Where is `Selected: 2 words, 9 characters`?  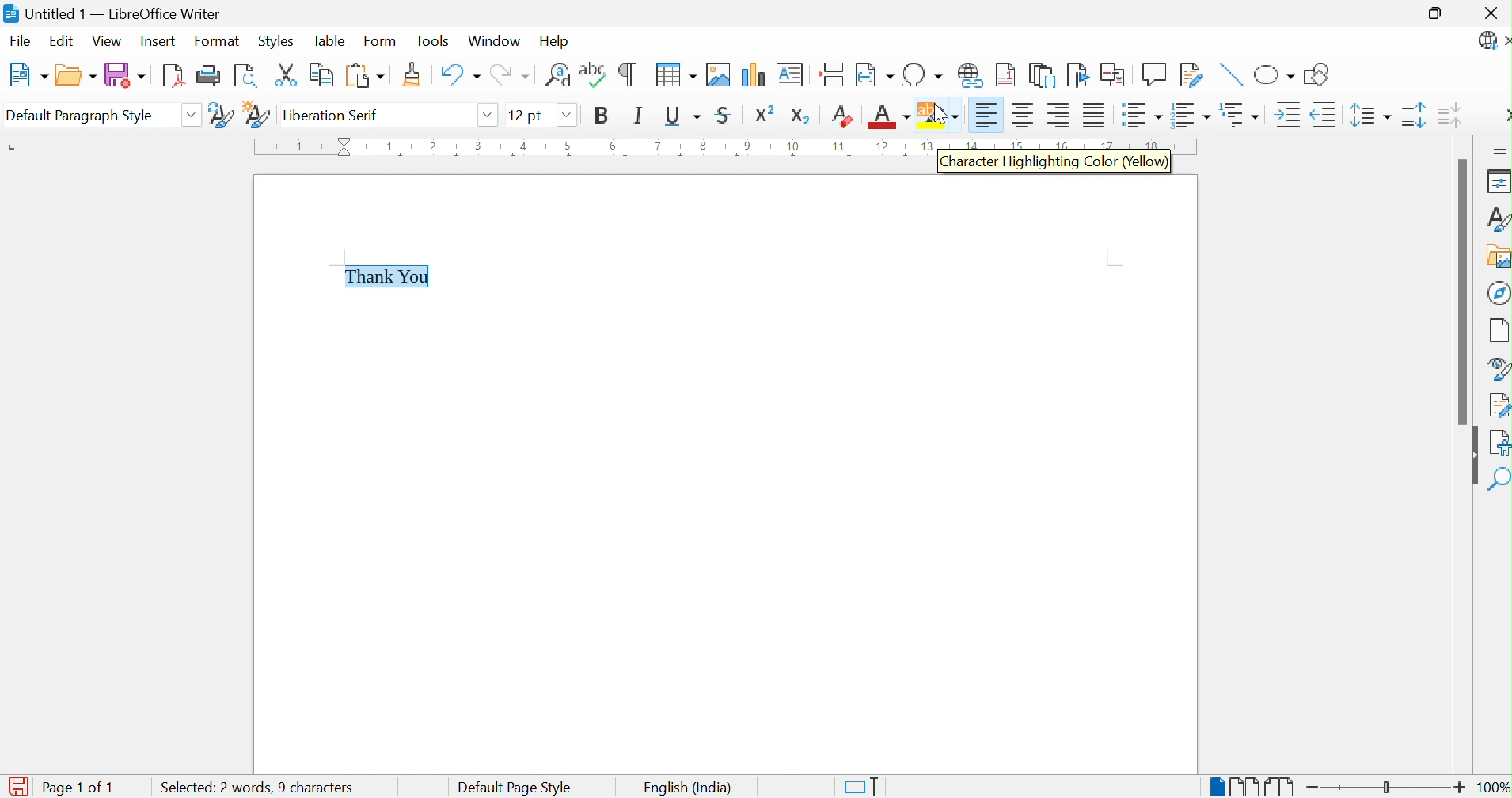 Selected: 2 words, 9 characters is located at coordinates (255, 787).